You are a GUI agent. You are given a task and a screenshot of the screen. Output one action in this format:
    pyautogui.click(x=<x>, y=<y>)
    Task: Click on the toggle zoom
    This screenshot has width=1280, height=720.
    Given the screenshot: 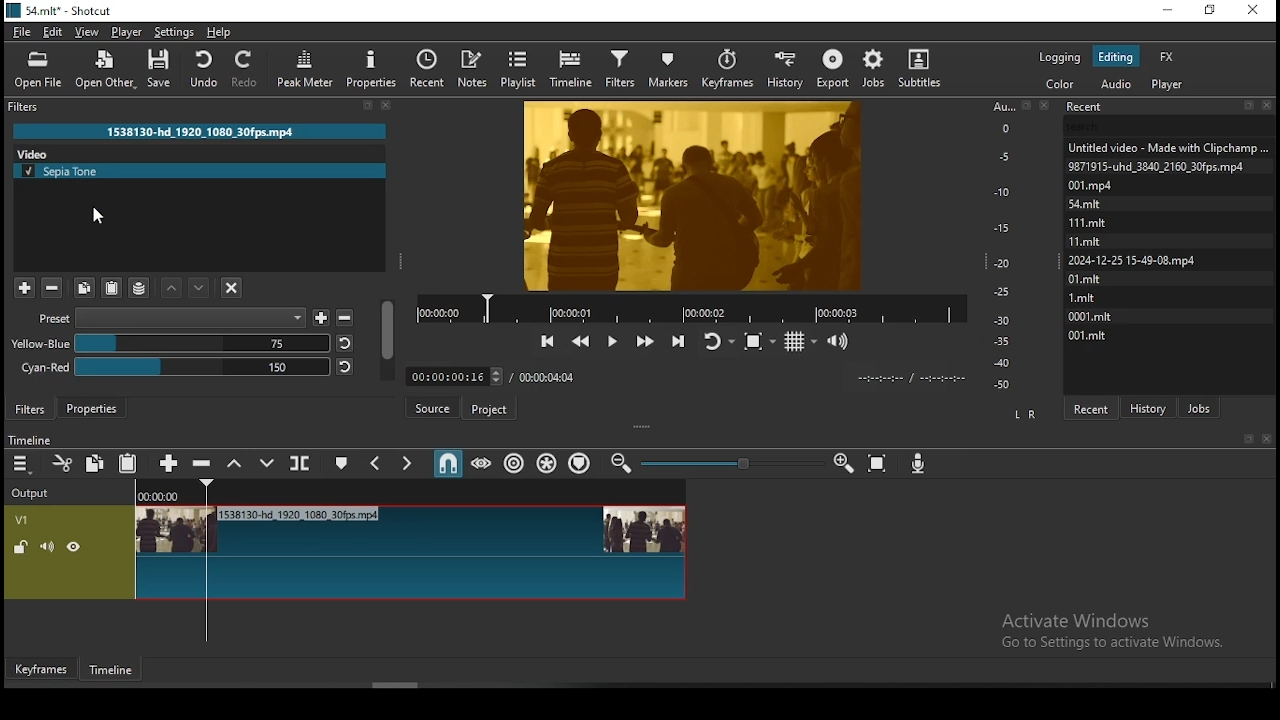 What is the action you would take?
    pyautogui.click(x=759, y=339)
    